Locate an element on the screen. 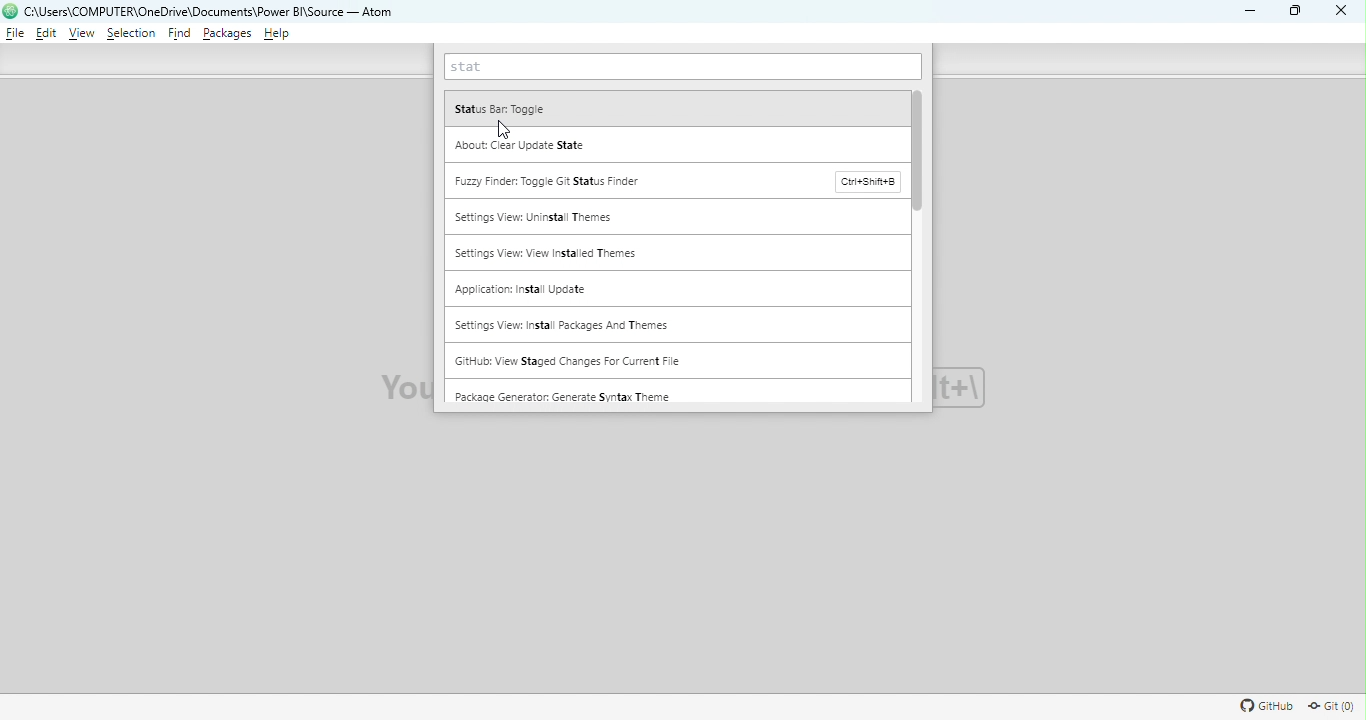 This screenshot has height=720, width=1366. Vertical scroll bar is located at coordinates (923, 245).